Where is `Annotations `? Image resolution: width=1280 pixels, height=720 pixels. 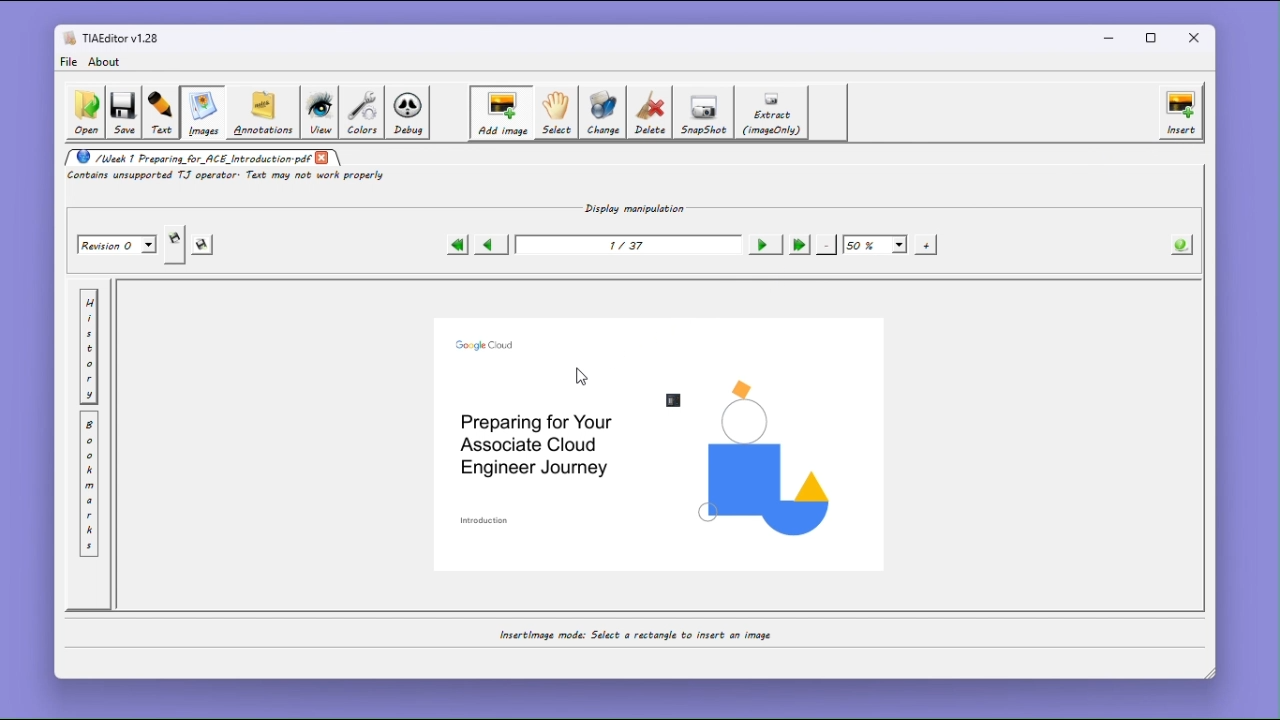 Annotations  is located at coordinates (261, 112).